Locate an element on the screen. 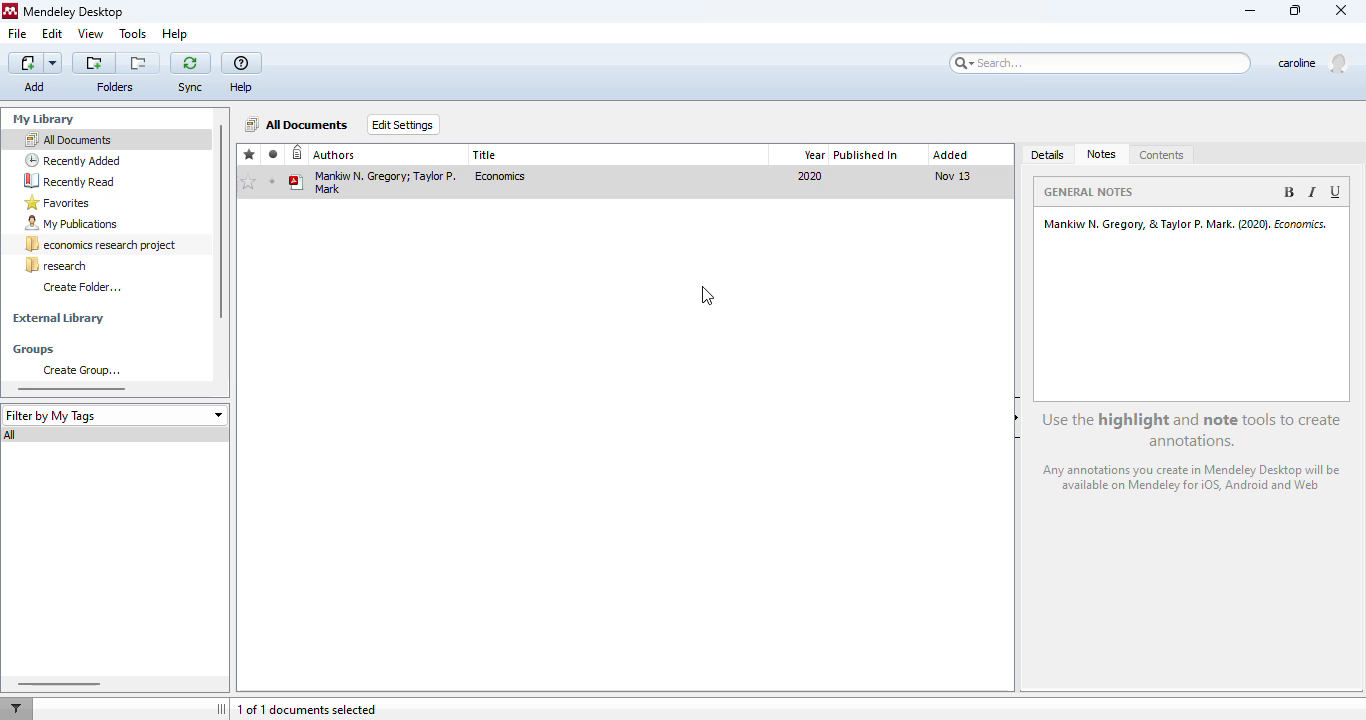 This screenshot has width=1366, height=720. any annotations you create in Mendeley Desktop will be available on Mendeley for iOS, android and web. is located at coordinates (1195, 480).